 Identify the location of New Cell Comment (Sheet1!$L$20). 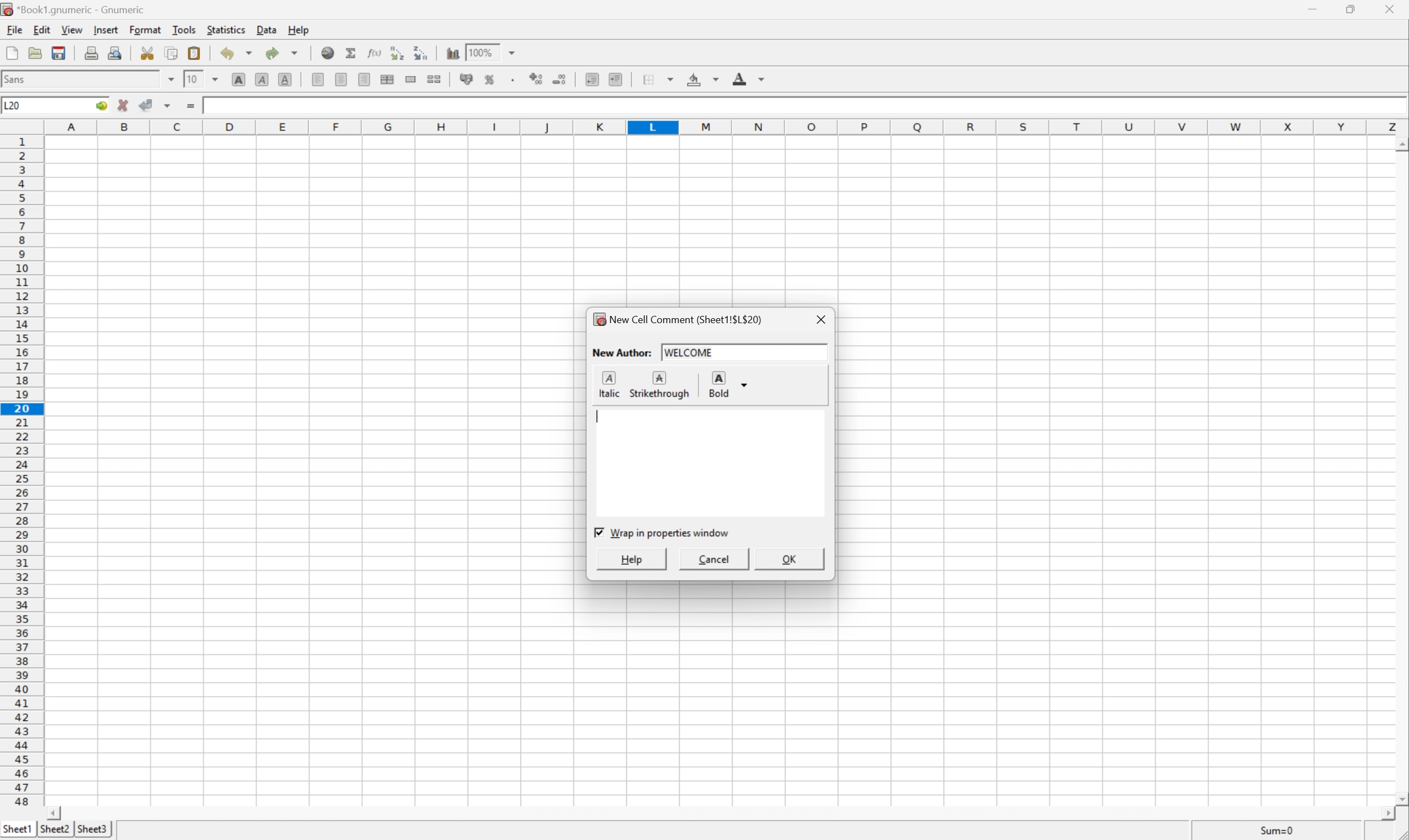
(676, 319).